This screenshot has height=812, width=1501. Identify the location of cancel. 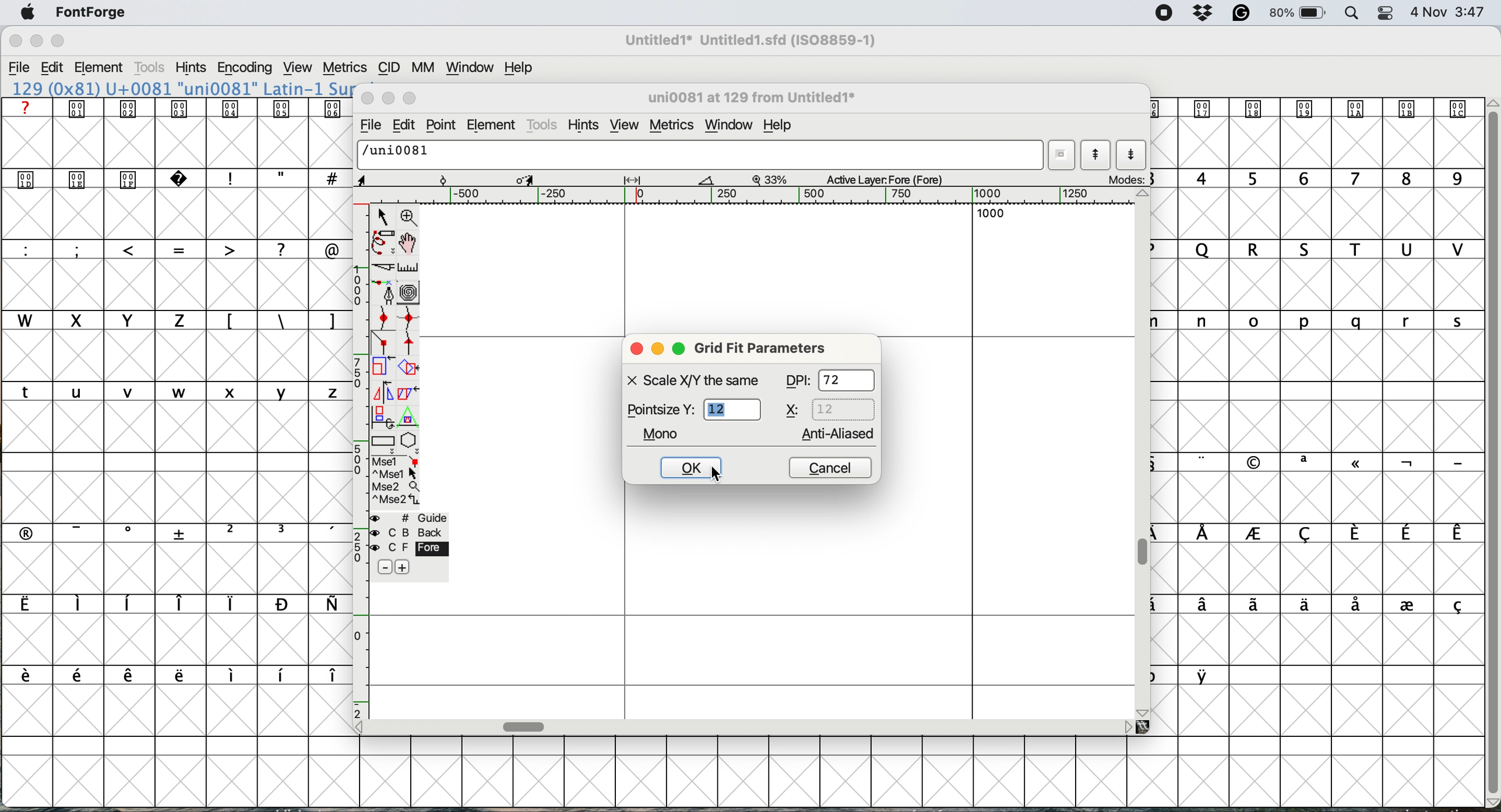
(832, 468).